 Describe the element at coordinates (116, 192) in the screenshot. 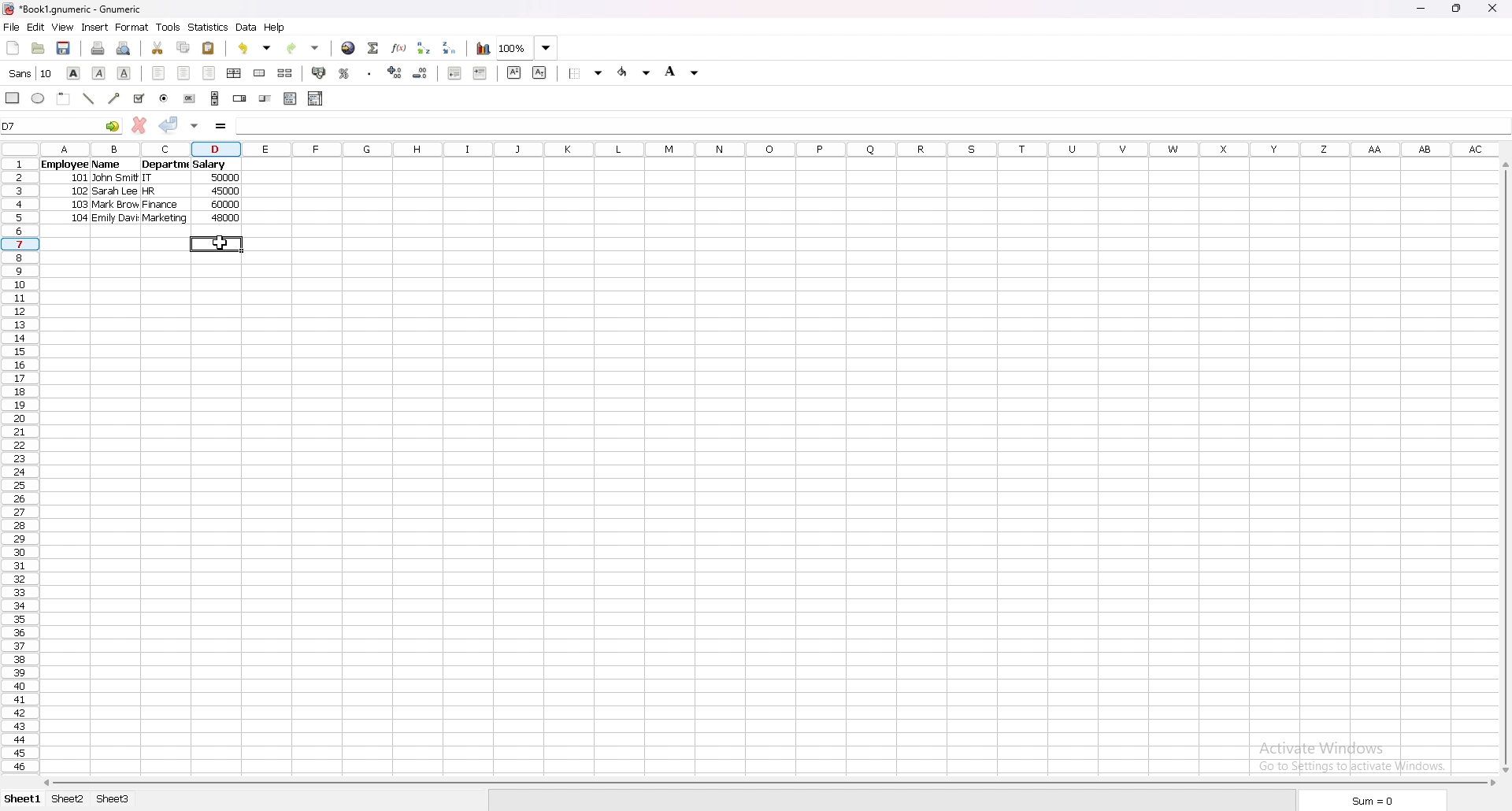

I see `sarah lee` at that location.